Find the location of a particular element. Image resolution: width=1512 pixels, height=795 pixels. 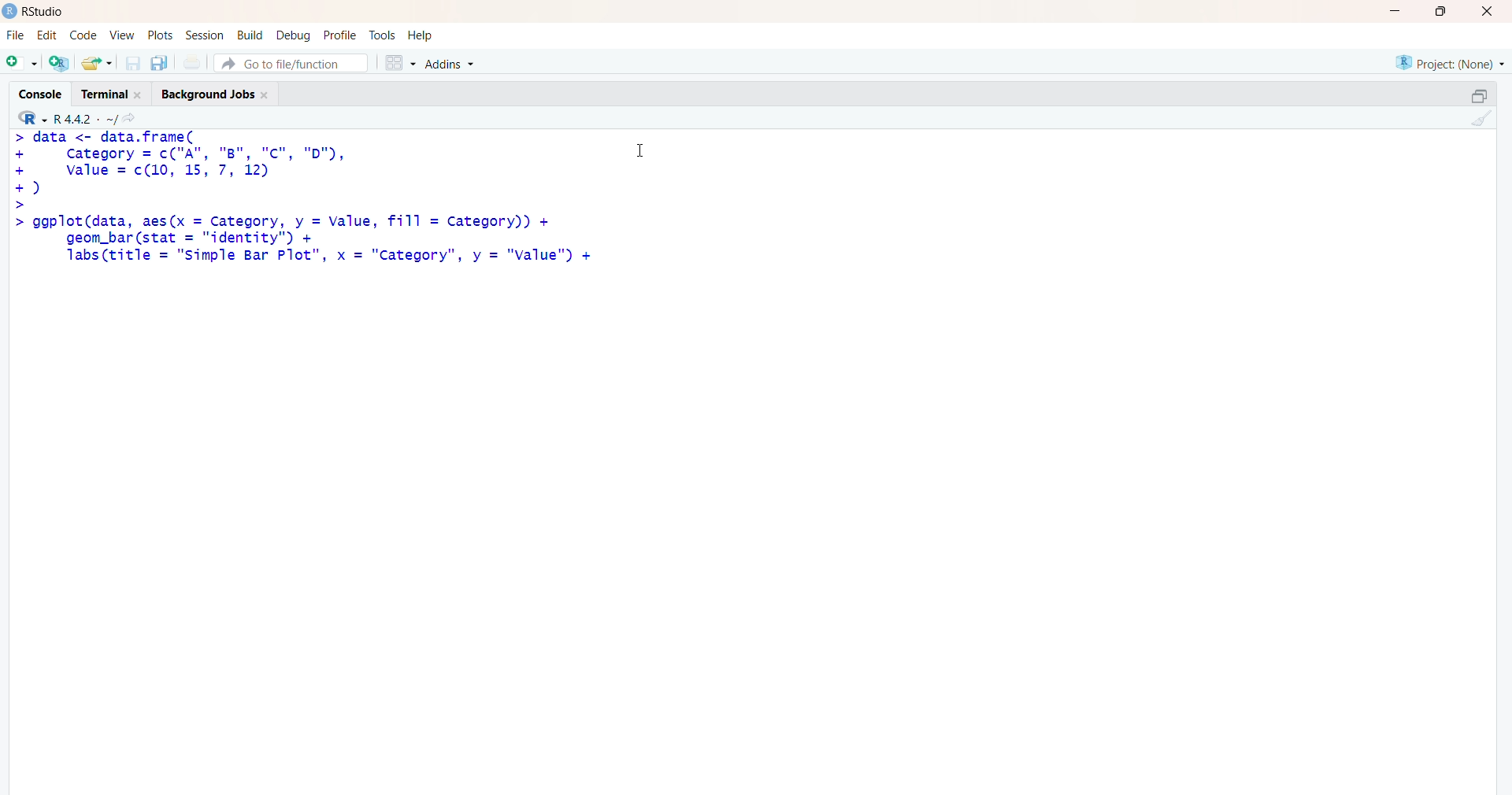

profile is located at coordinates (339, 36).